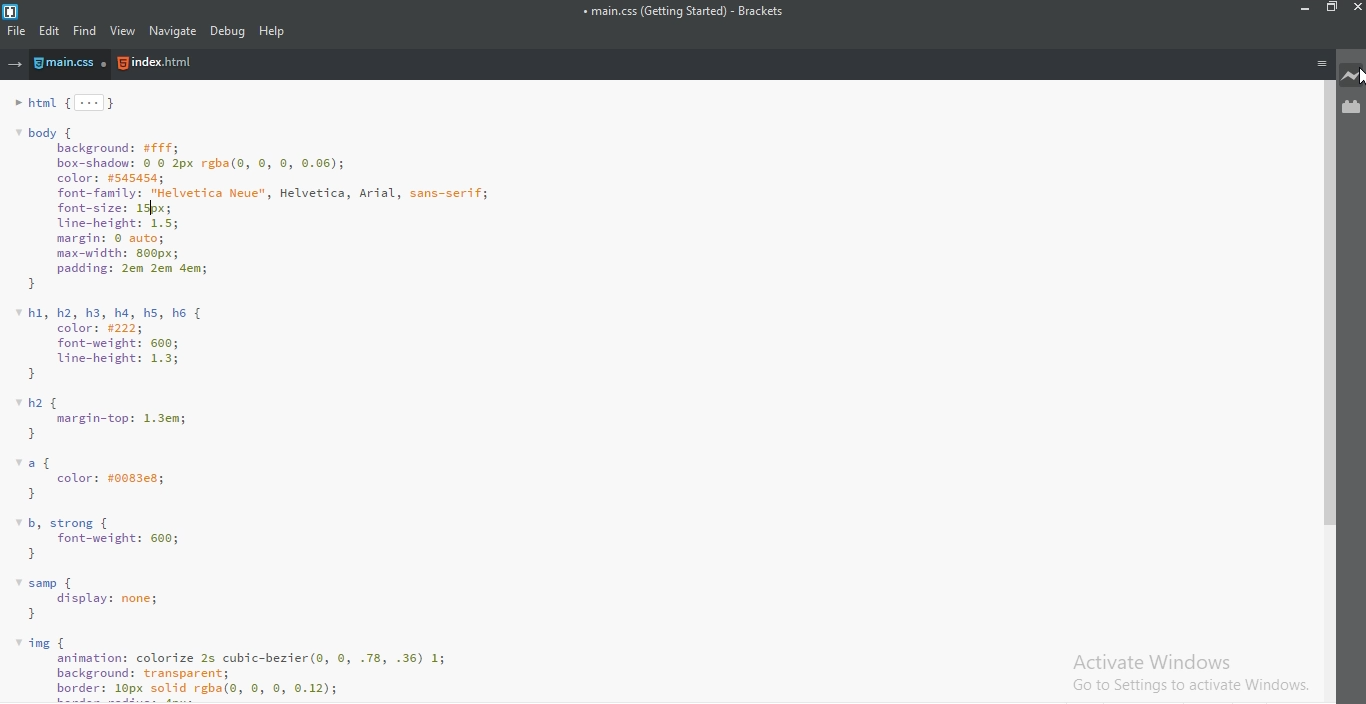 The height and width of the screenshot is (704, 1366). I want to click on cursor, so click(1357, 79).